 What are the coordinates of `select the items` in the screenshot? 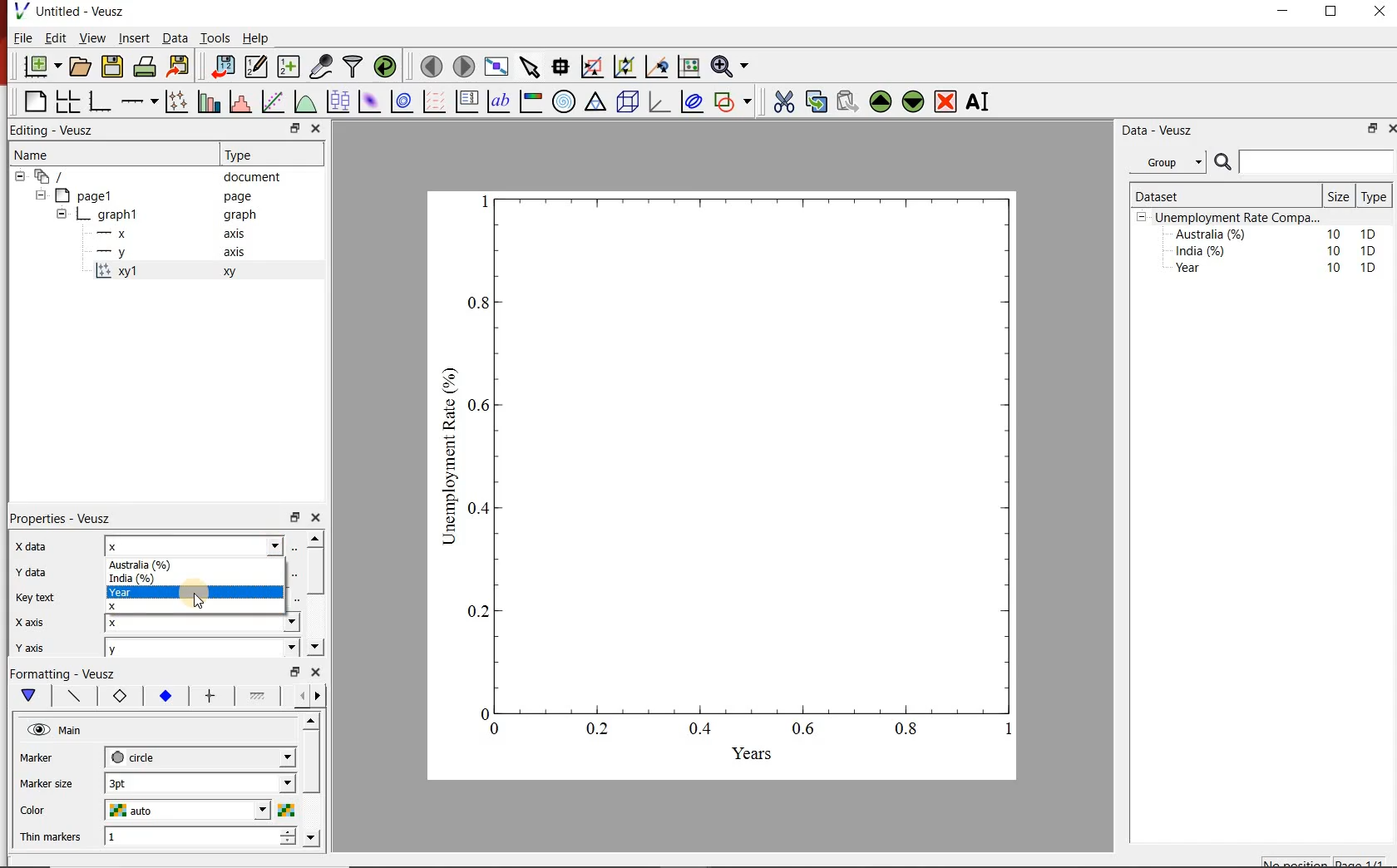 It's located at (531, 65).